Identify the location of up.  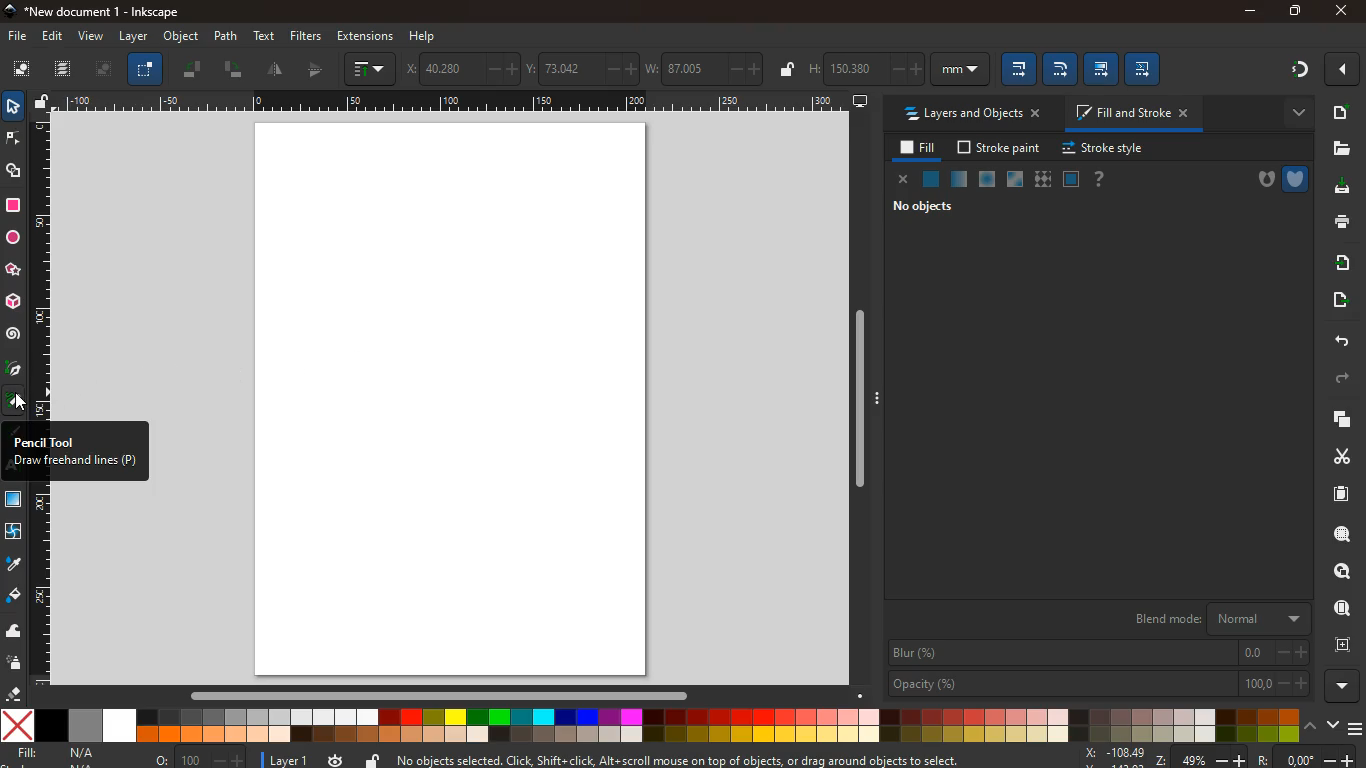
(1310, 725).